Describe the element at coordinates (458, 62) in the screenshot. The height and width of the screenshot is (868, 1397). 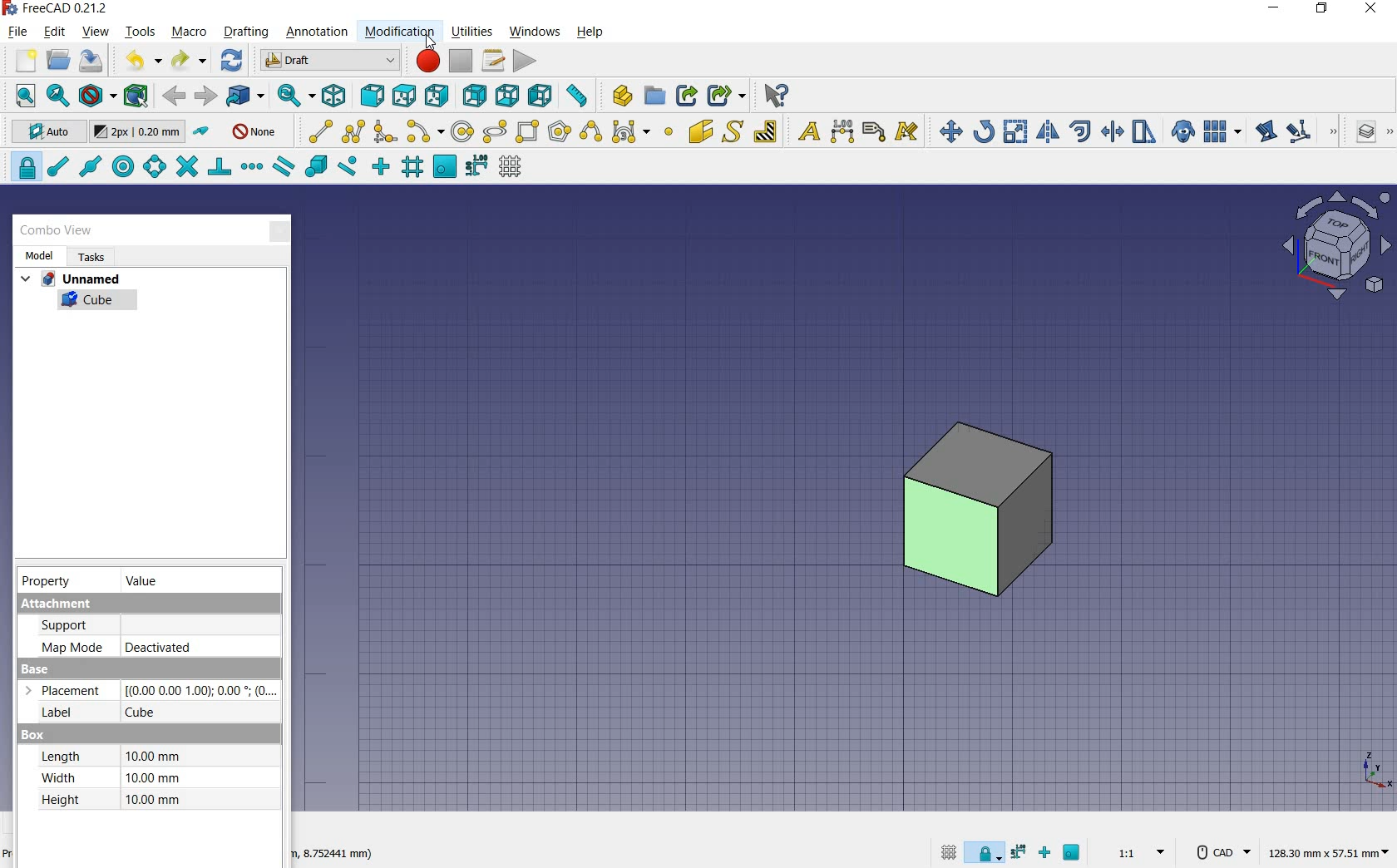
I see `stop macro recording` at that location.